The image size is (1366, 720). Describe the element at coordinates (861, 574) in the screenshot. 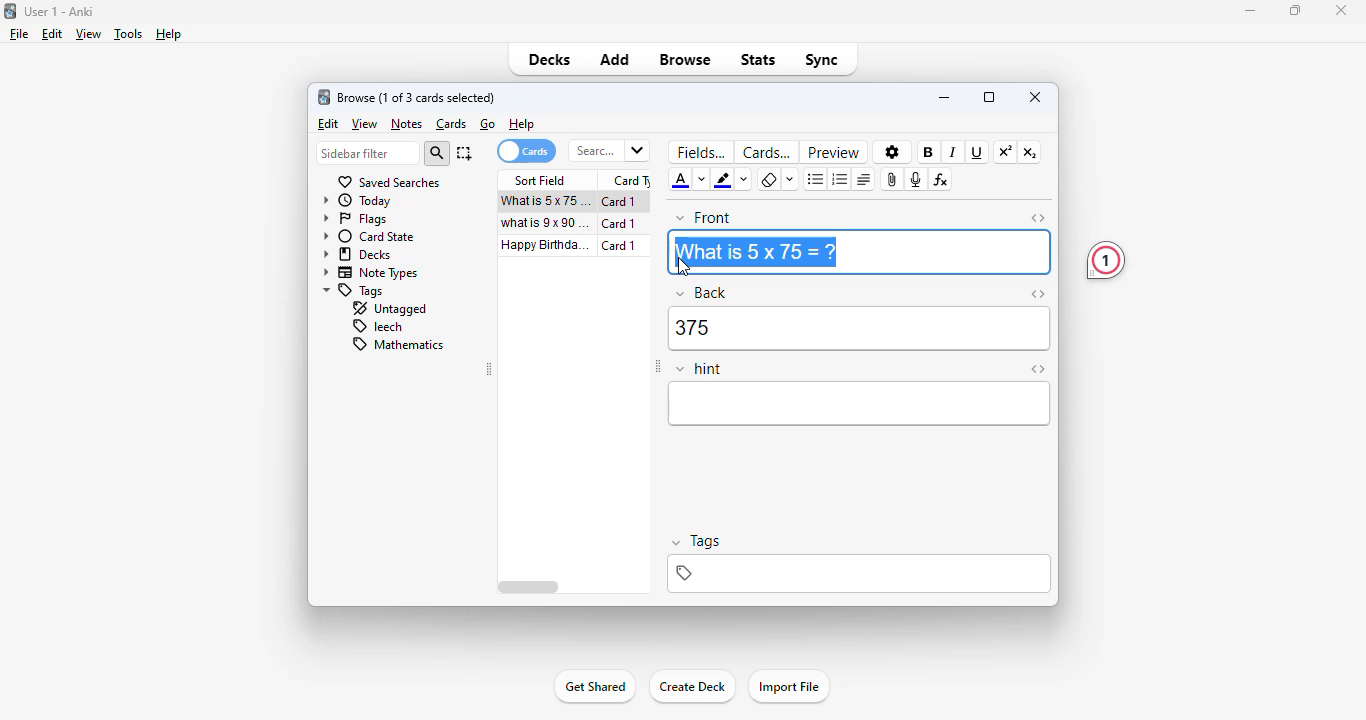

I see `tags` at that location.